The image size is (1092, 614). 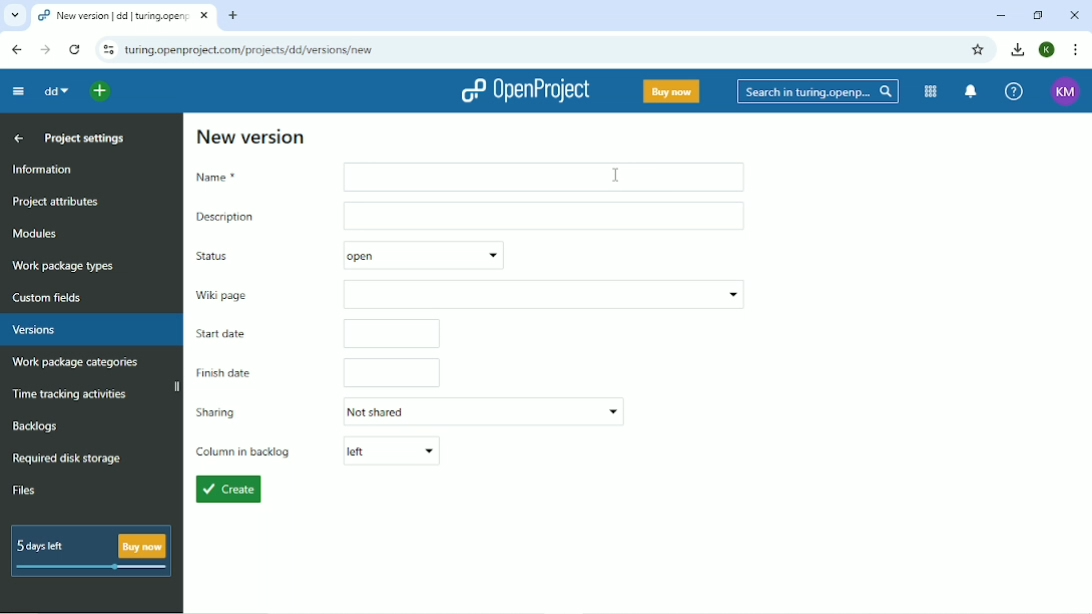 I want to click on Sharing, so click(x=407, y=411).